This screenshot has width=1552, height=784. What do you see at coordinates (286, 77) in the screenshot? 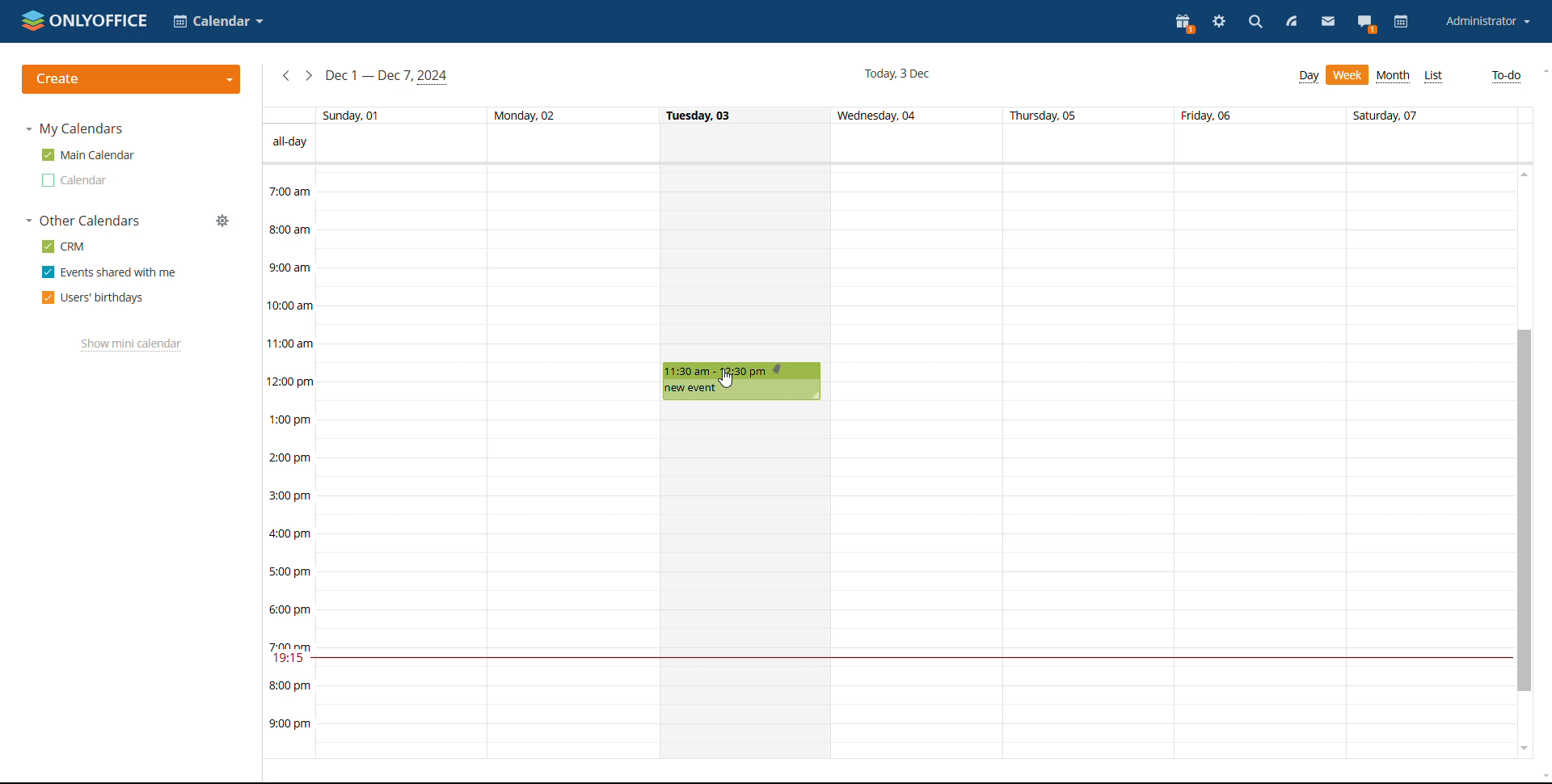
I see `previous week` at bounding box center [286, 77].